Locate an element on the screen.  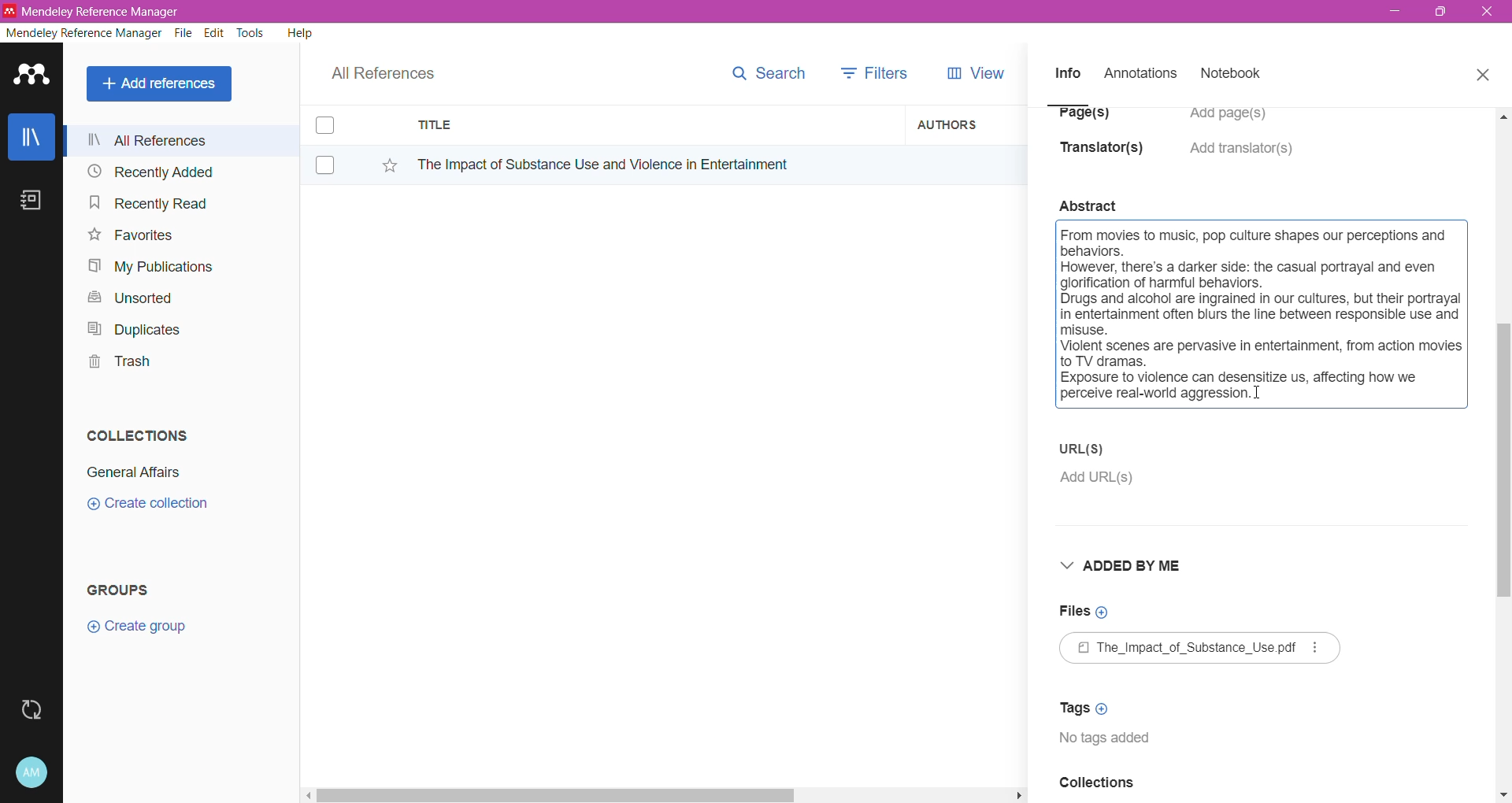
Click to Add URL(s) is located at coordinates (1095, 481).